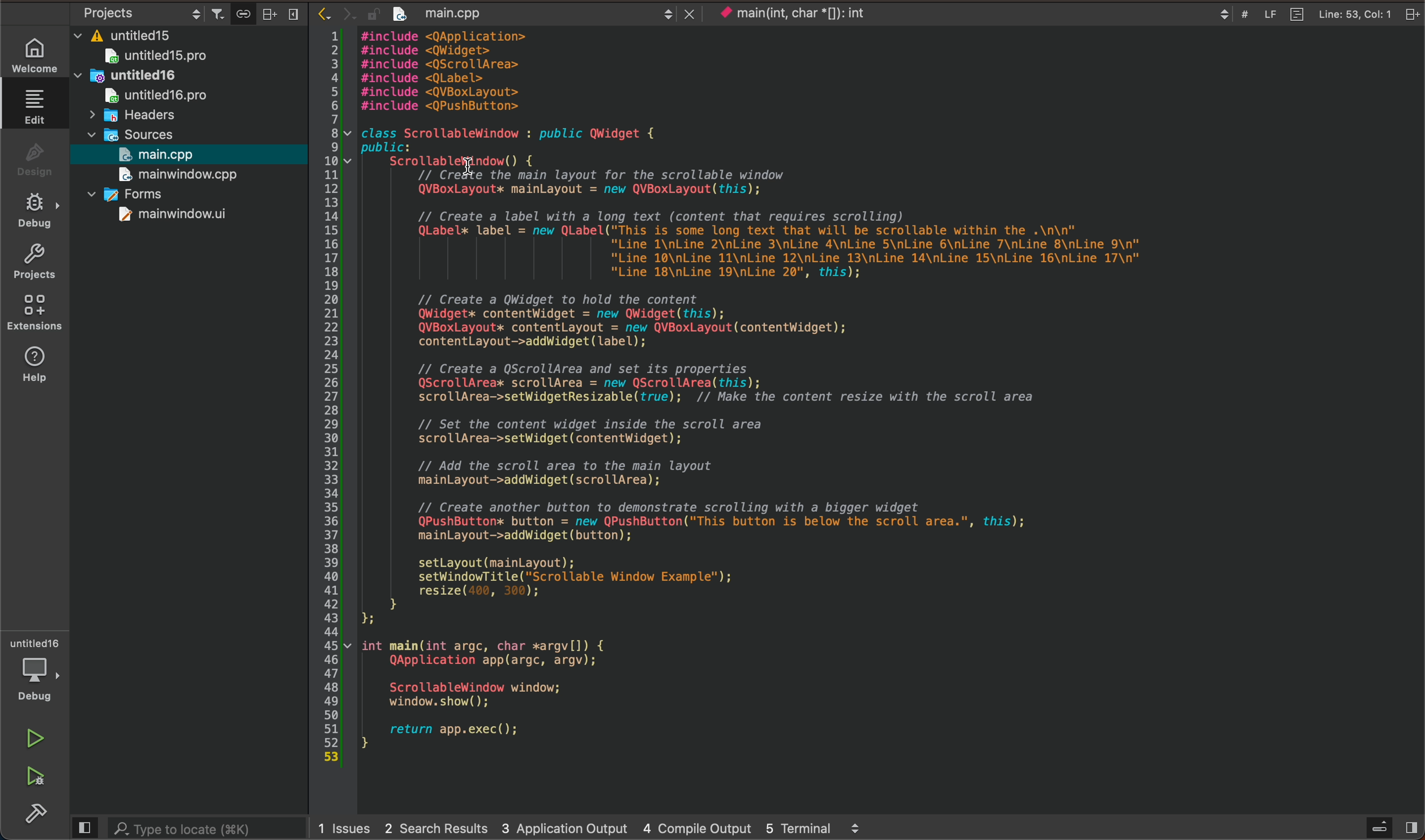 The image size is (1425, 840). I want to click on file info, so click(1315, 14).